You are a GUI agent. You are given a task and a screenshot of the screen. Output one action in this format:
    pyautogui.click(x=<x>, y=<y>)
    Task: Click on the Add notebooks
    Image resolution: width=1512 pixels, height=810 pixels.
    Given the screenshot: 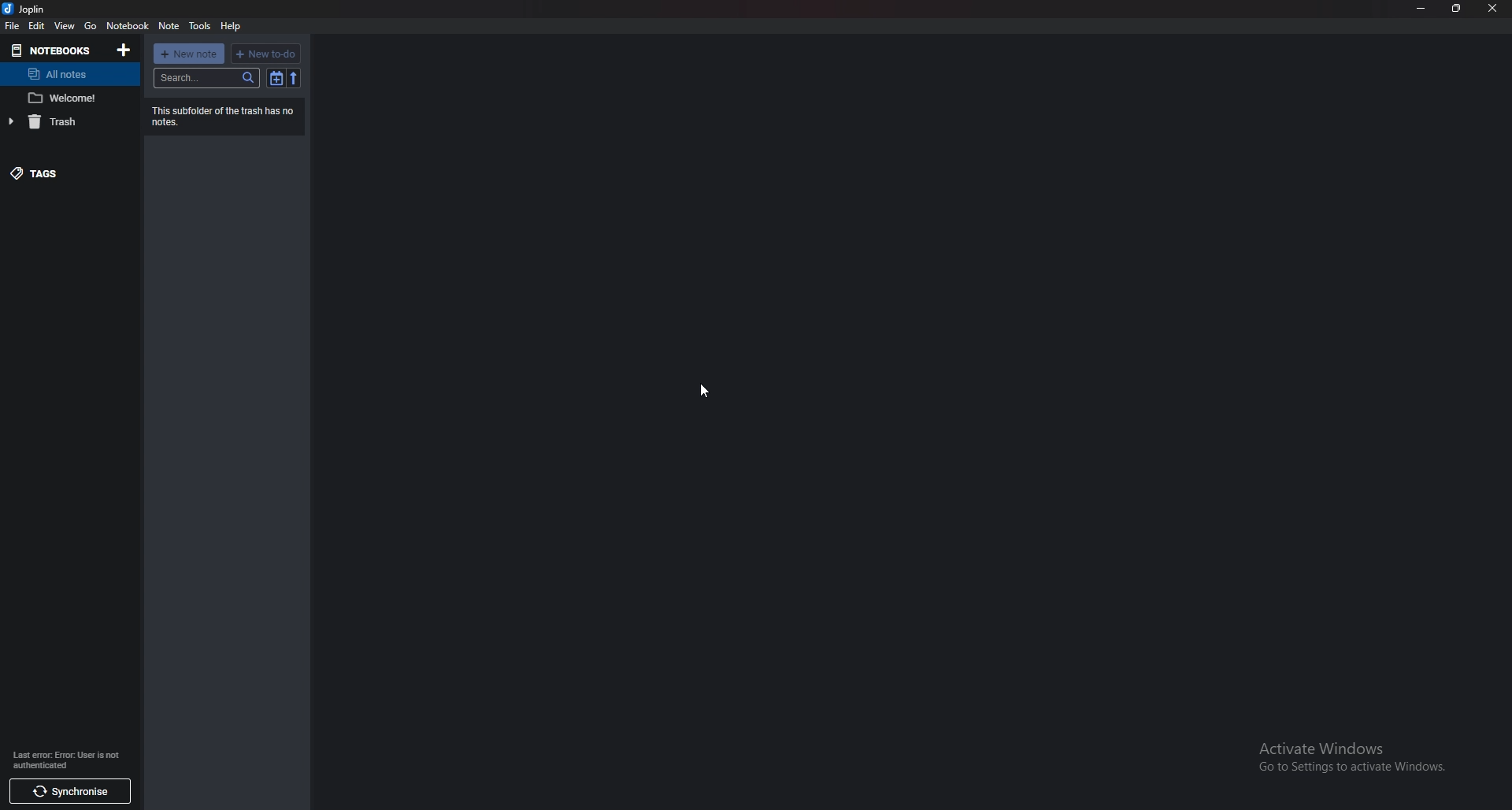 What is the action you would take?
    pyautogui.click(x=123, y=50)
    